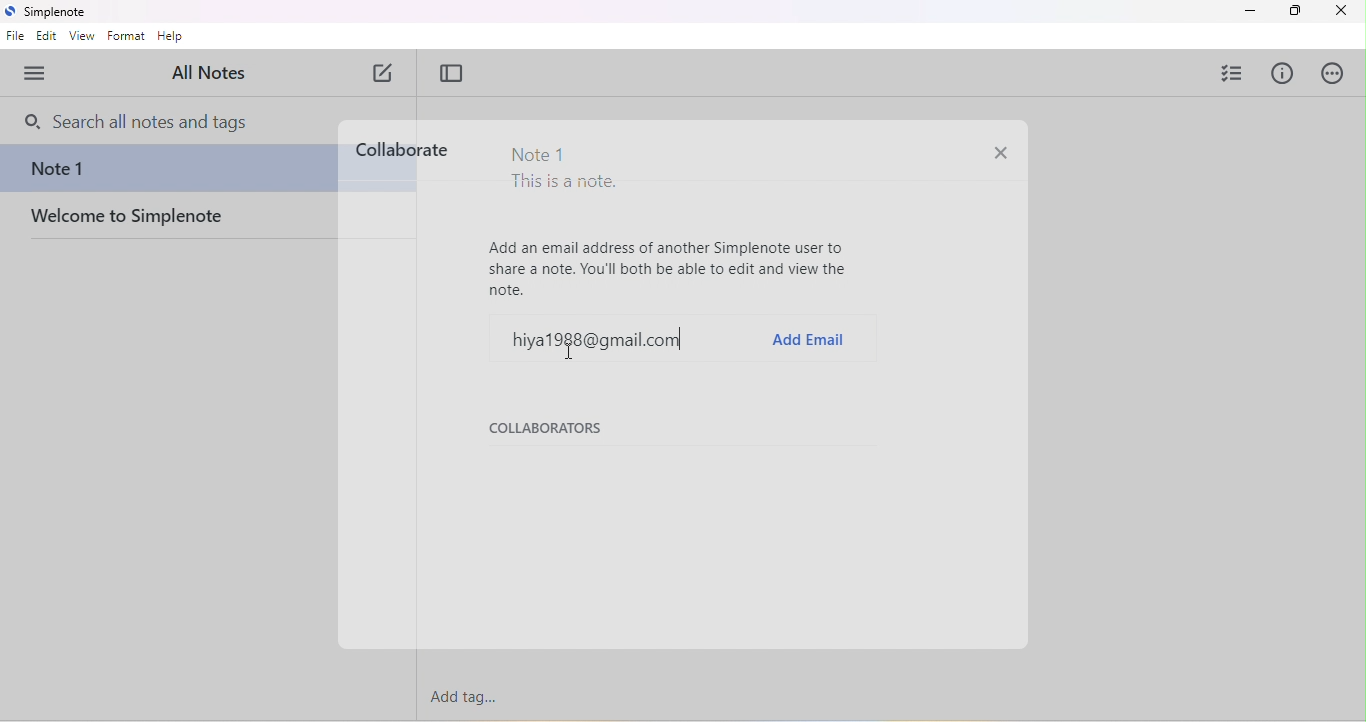  I want to click on file, so click(15, 37).